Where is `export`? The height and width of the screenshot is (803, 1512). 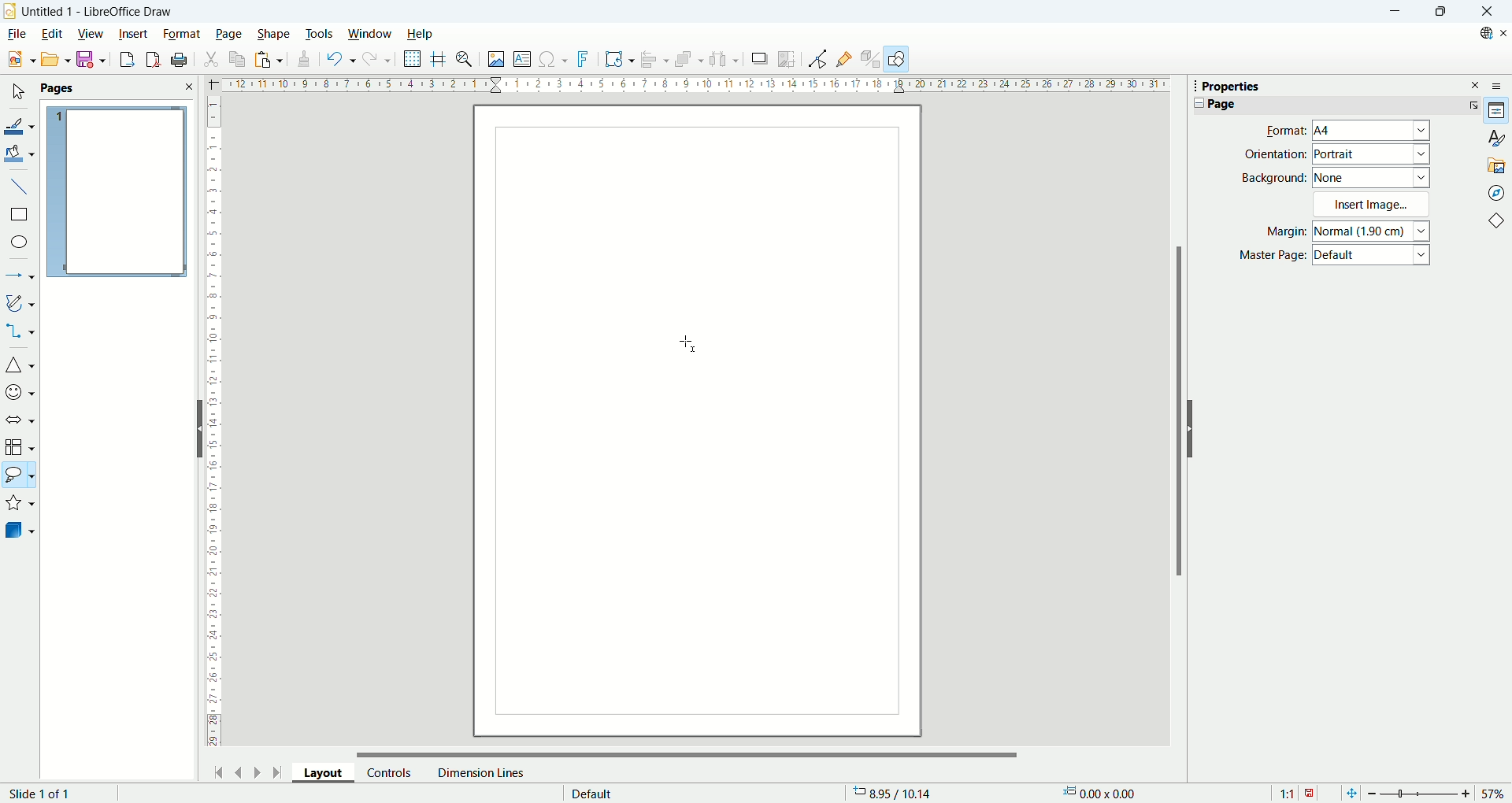
export is located at coordinates (123, 59).